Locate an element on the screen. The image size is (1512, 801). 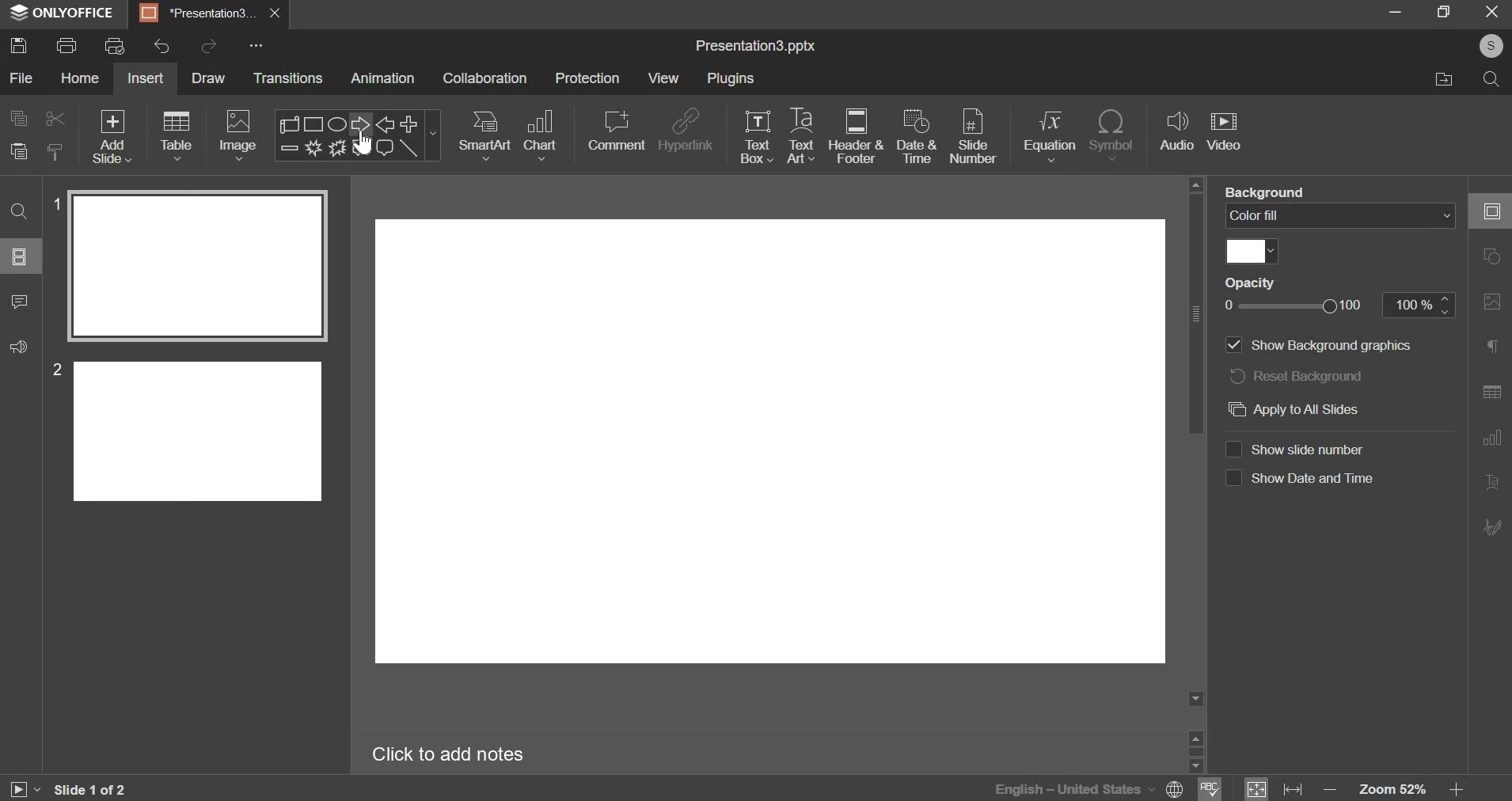
close is located at coordinates (275, 13).